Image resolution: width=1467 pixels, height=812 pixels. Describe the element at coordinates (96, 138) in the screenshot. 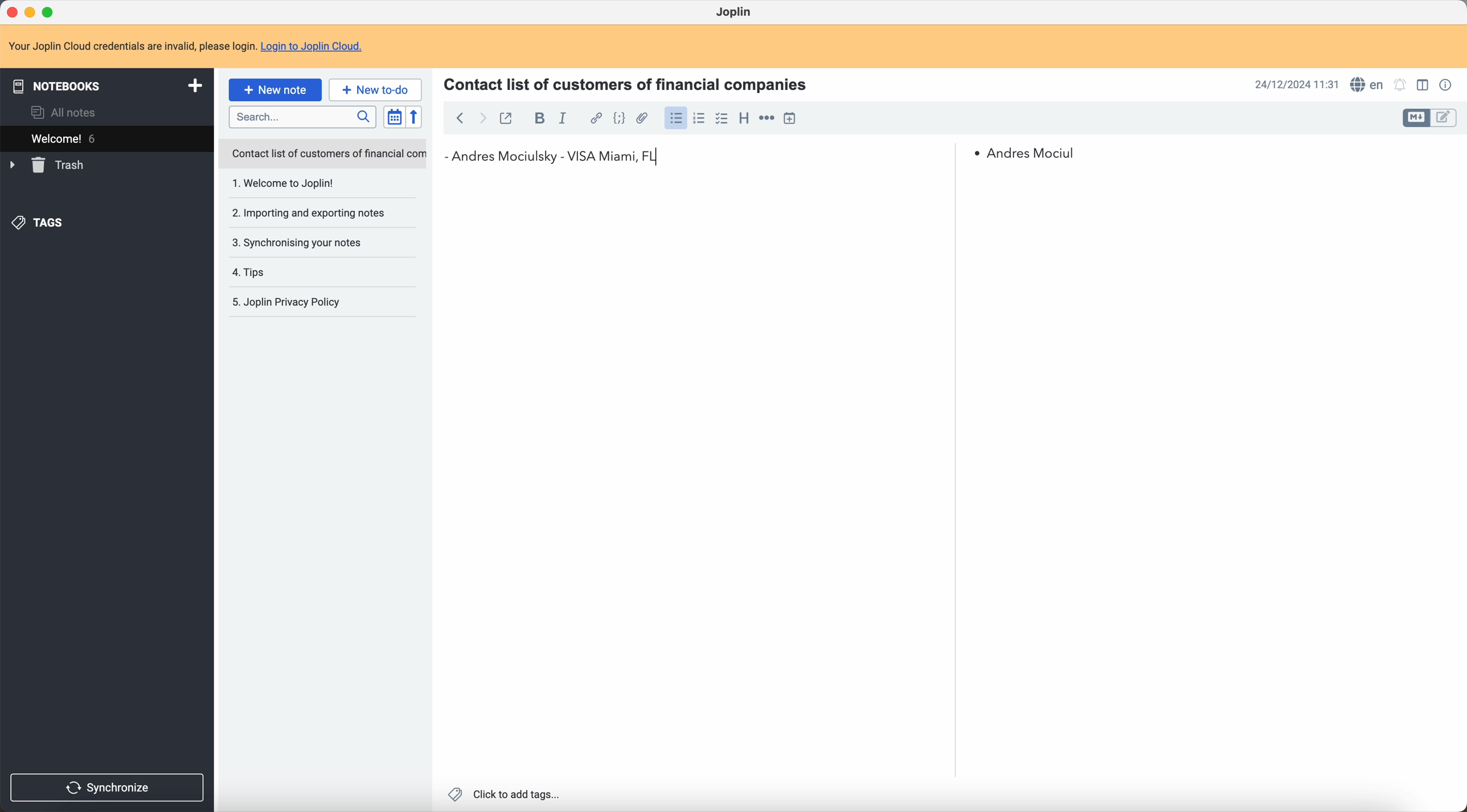

I see `welcome` at that location.